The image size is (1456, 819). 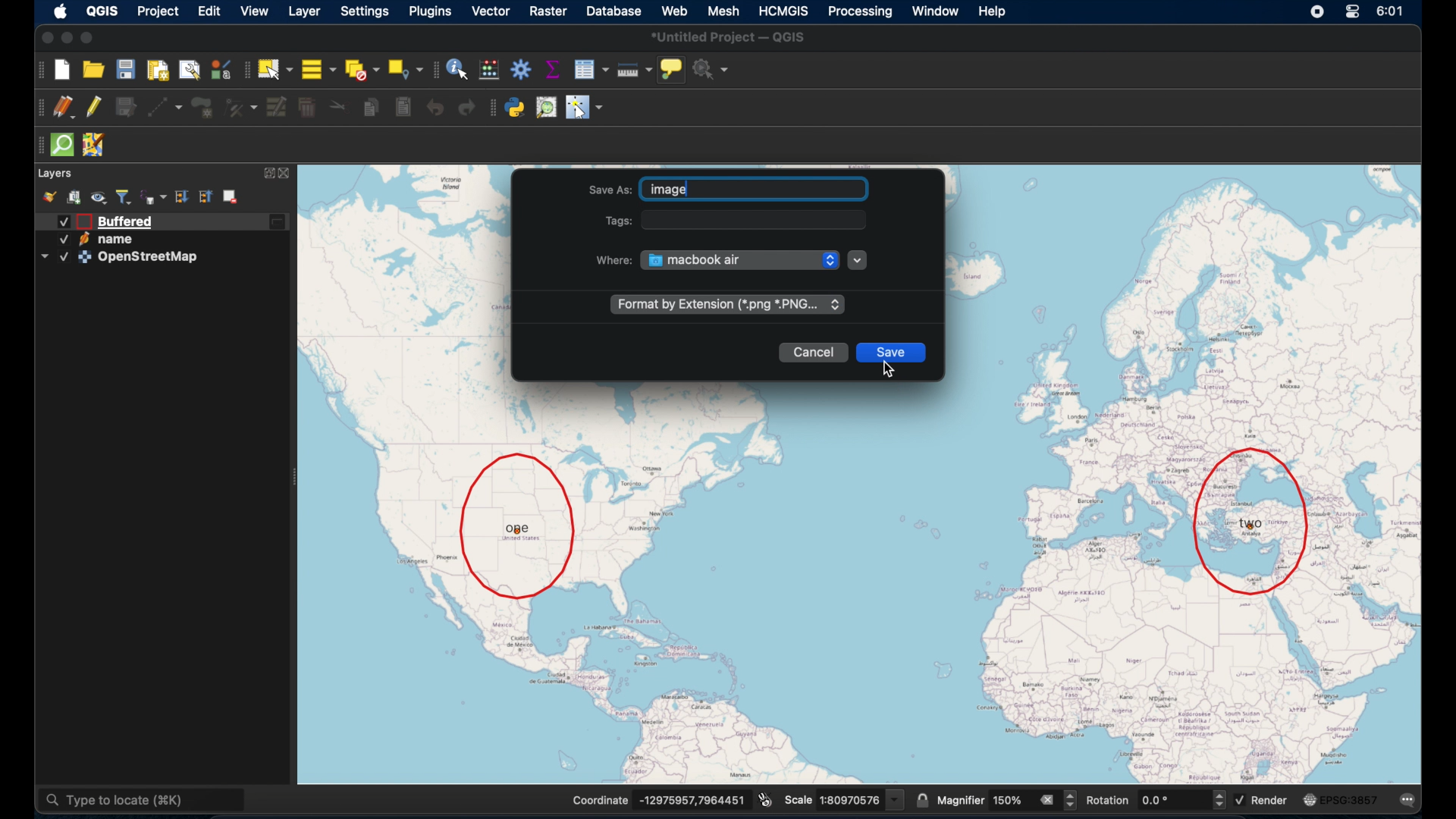 I want to click on plugins toolbar, so click(x=491, y=108).